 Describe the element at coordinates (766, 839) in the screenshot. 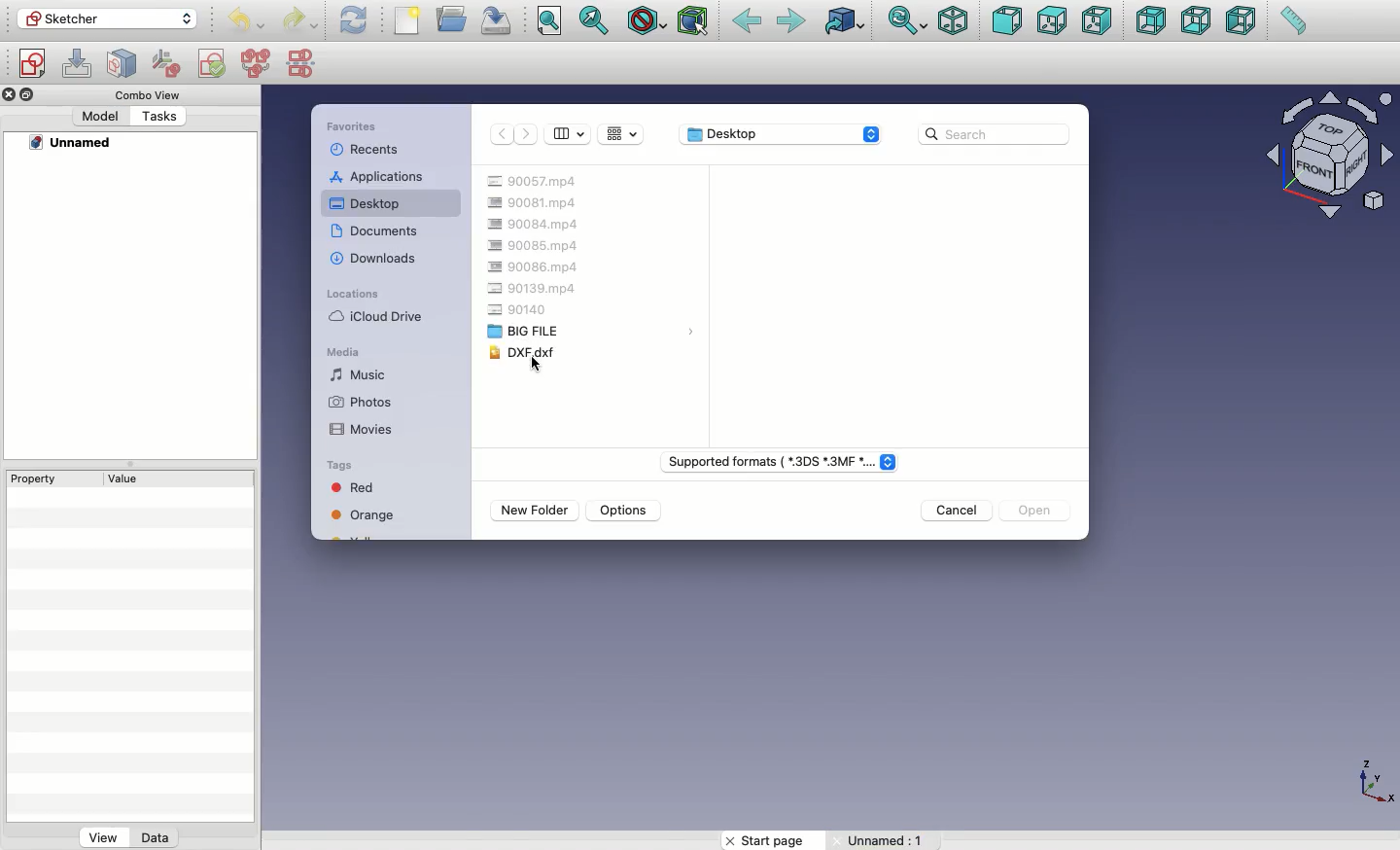

I see `Start page` at that location.